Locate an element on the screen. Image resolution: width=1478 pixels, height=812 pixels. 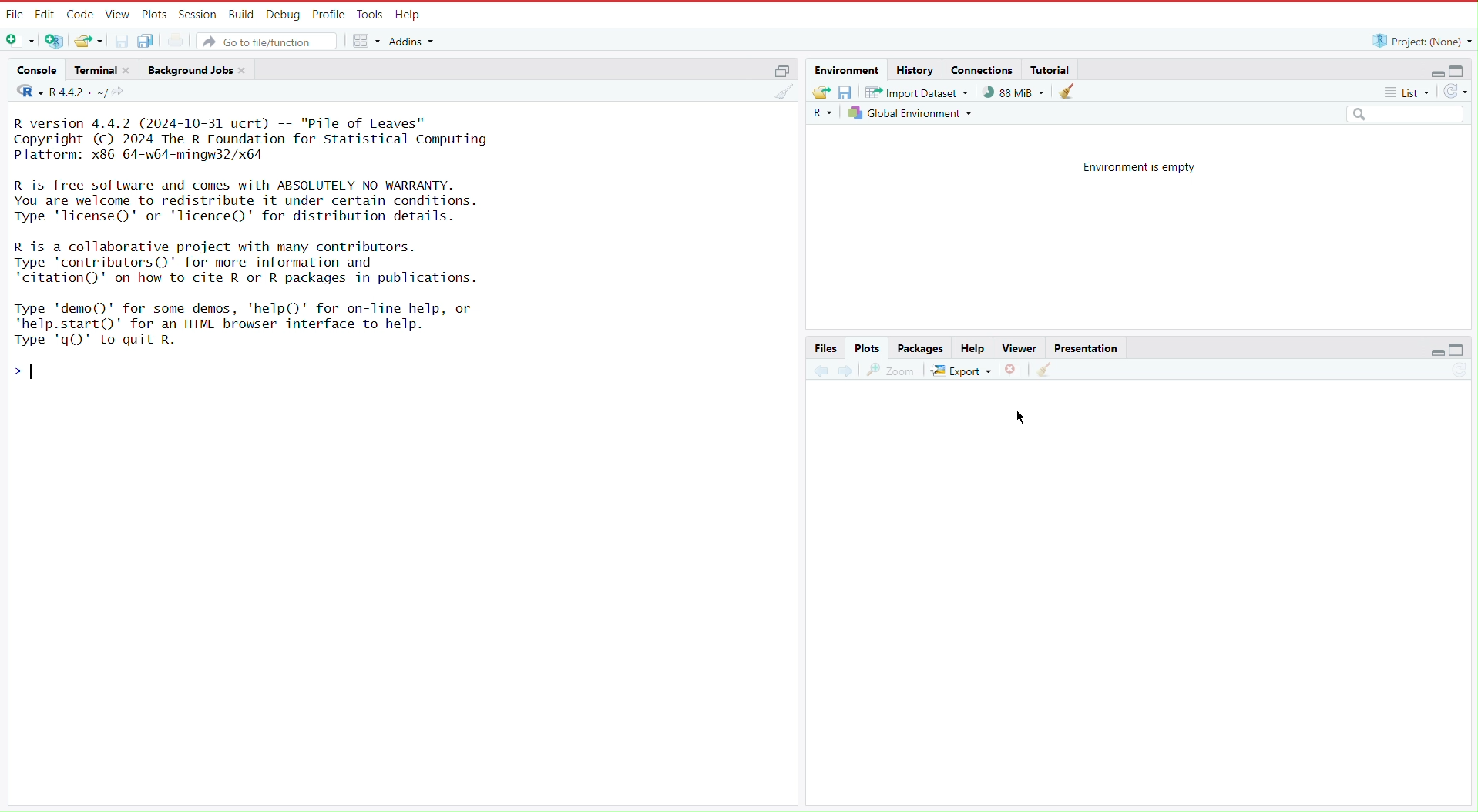
Debug is located at coordinates (281, 14).